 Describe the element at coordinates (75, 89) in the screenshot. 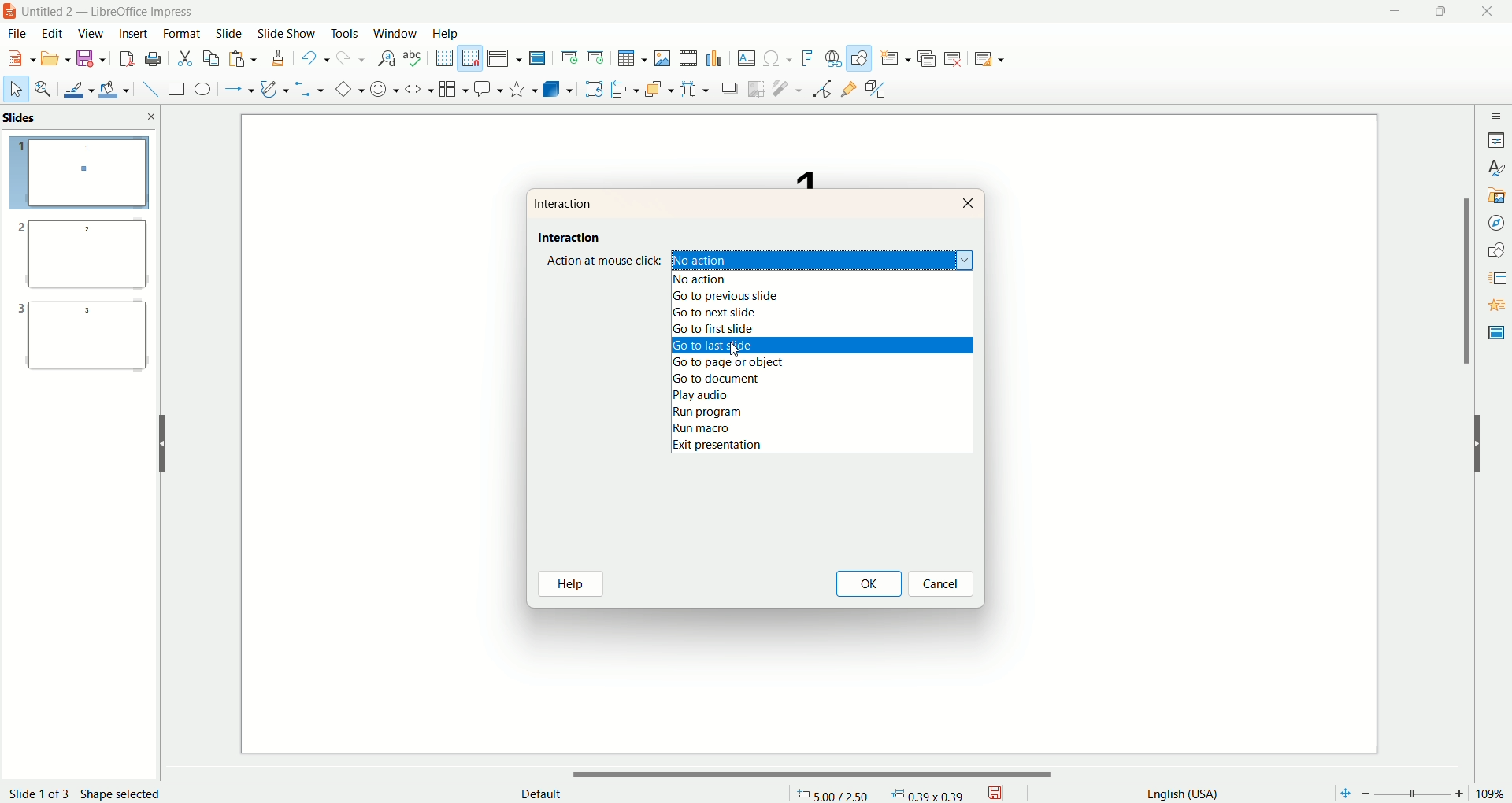

I see `line color` at that location.